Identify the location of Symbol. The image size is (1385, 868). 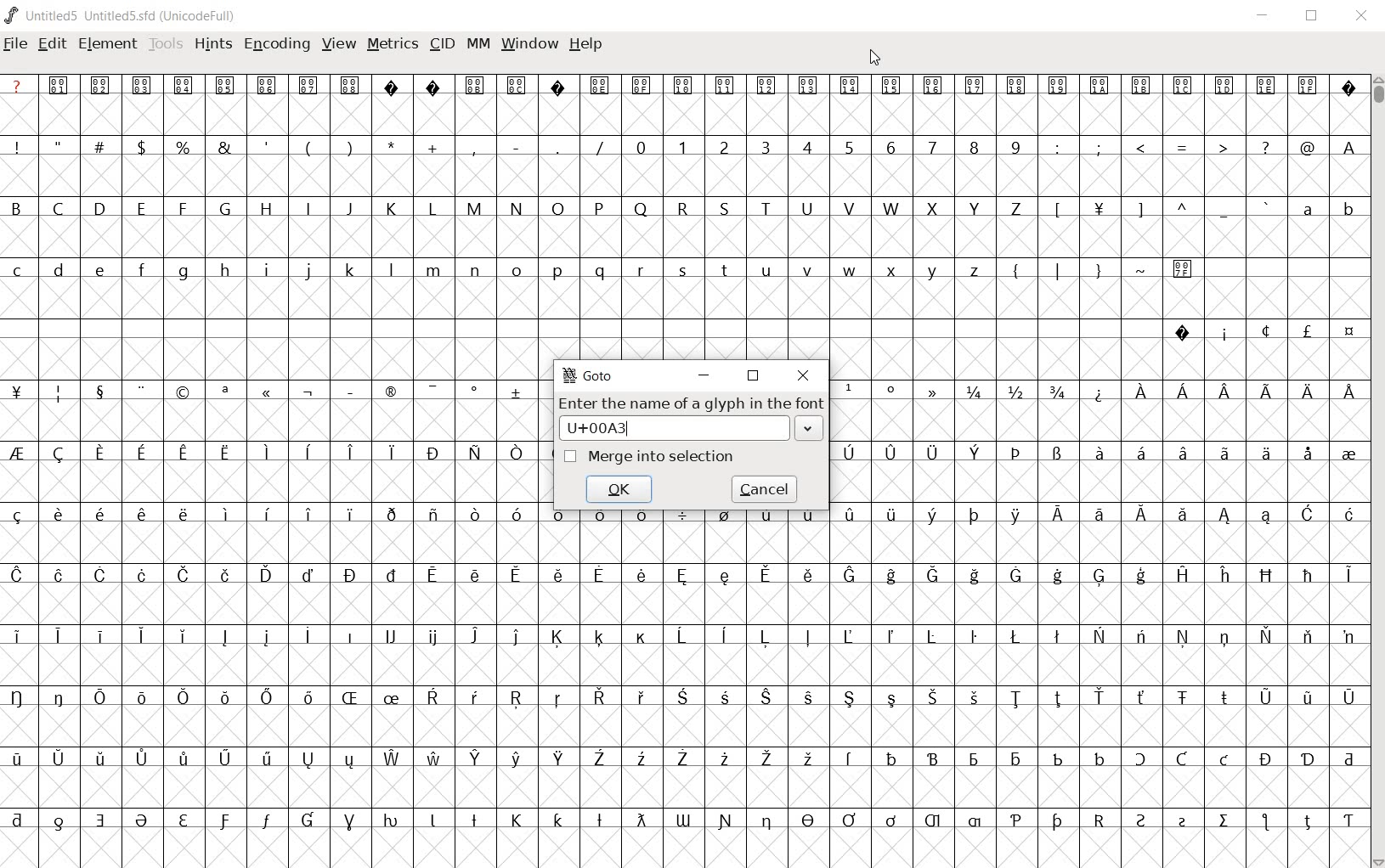
(1057, 454).